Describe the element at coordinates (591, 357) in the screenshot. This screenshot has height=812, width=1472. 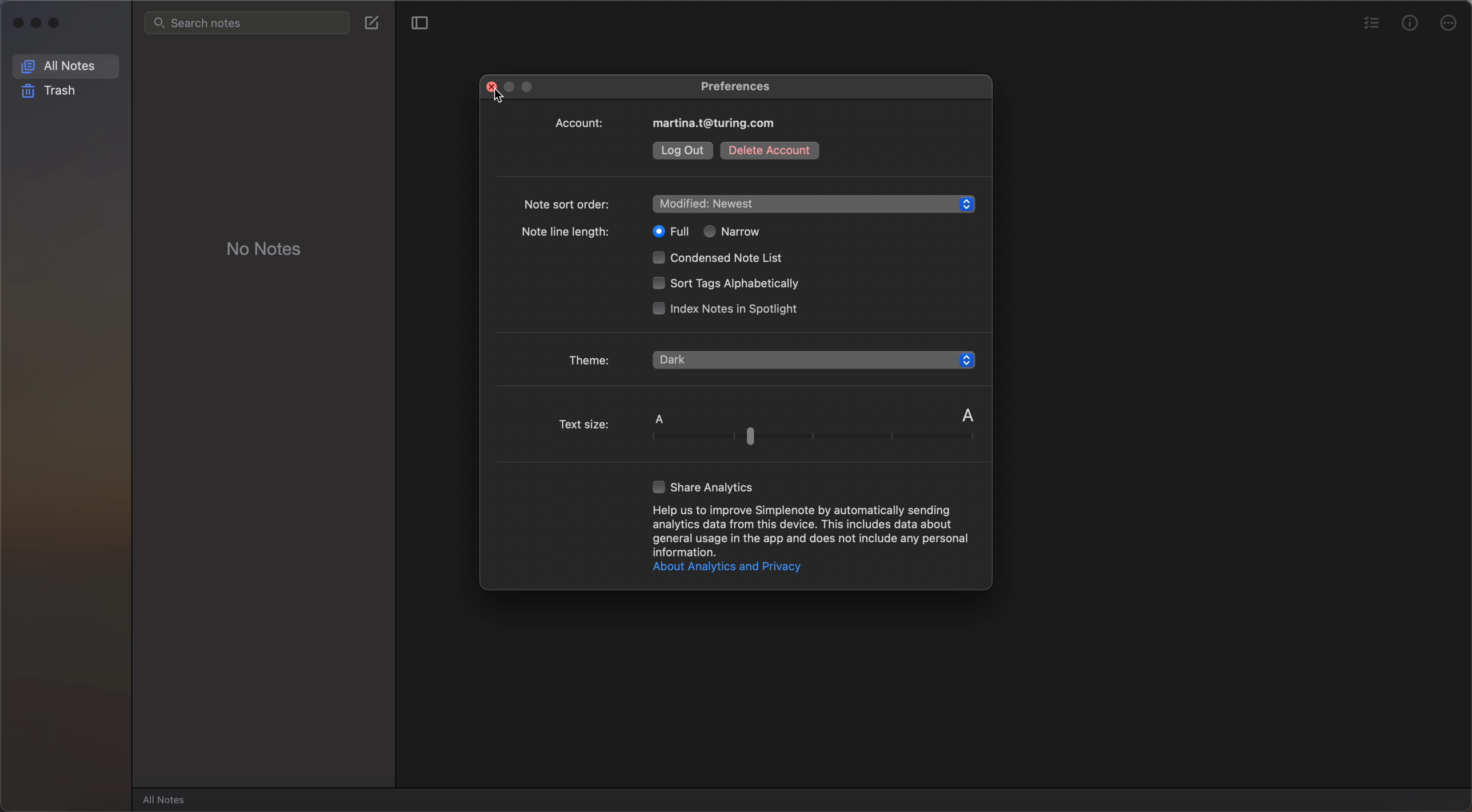
I see `theme` at that location.